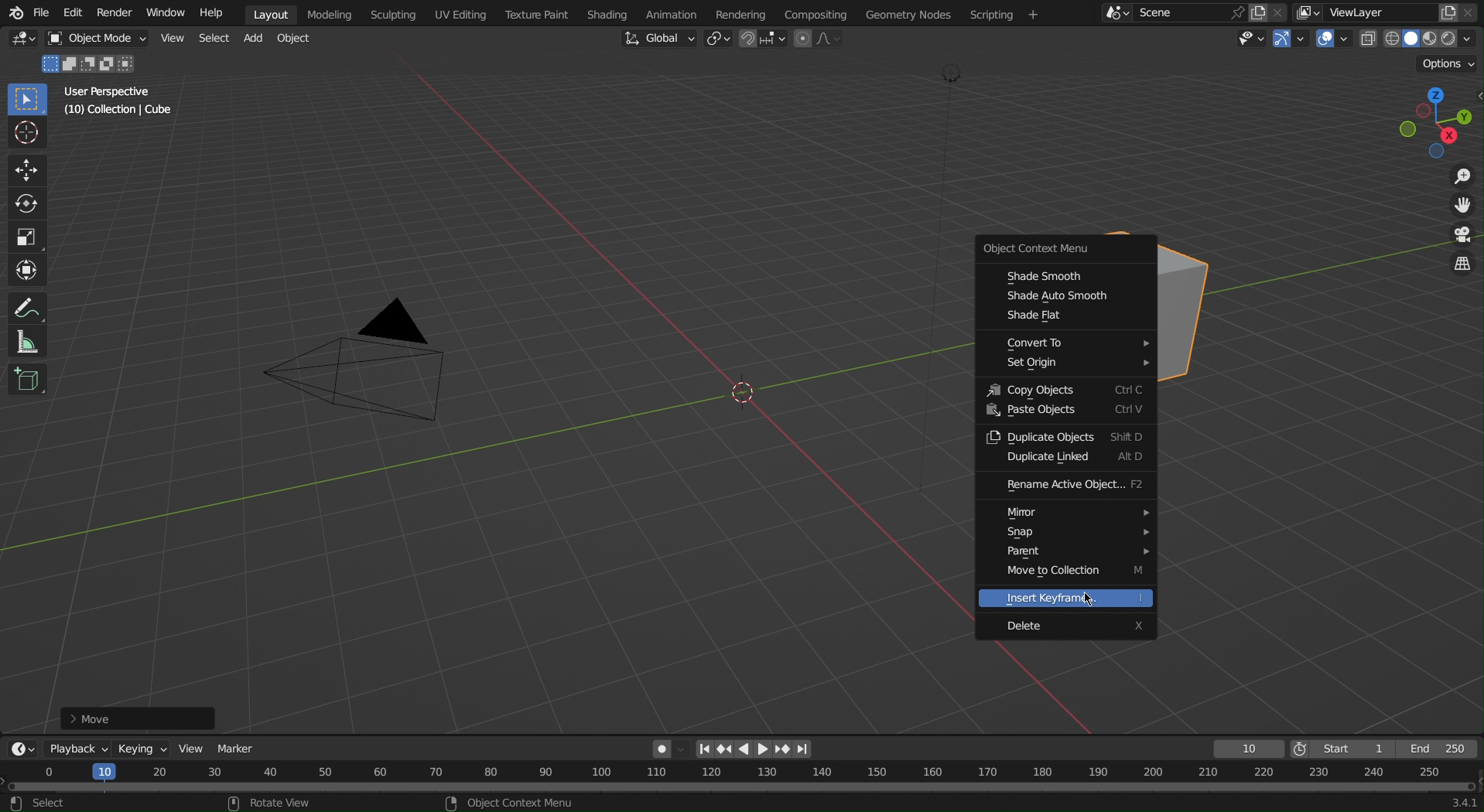  I want to click on Object, so click(102, 39).